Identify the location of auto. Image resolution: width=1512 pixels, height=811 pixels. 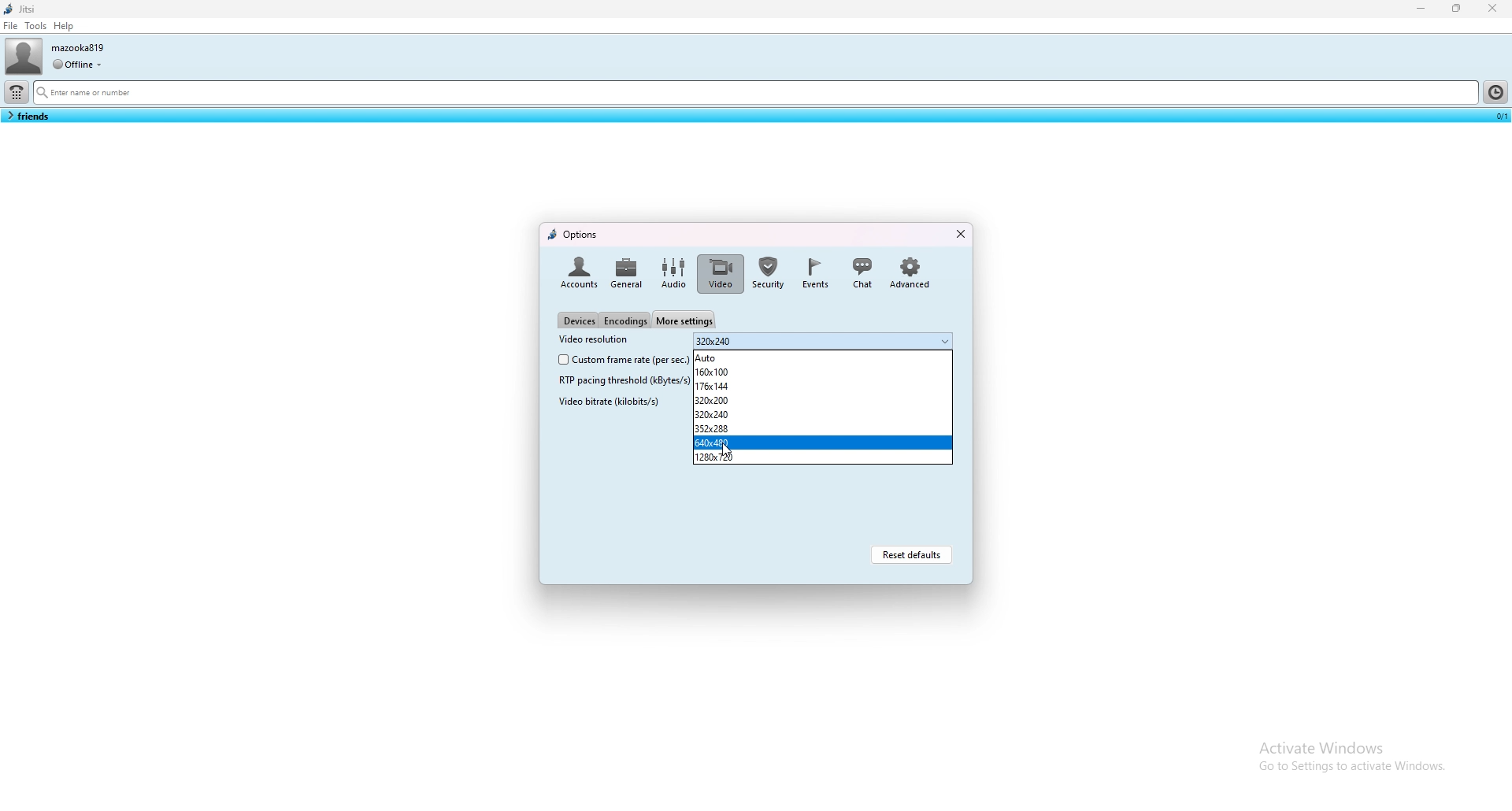
(823, 357).